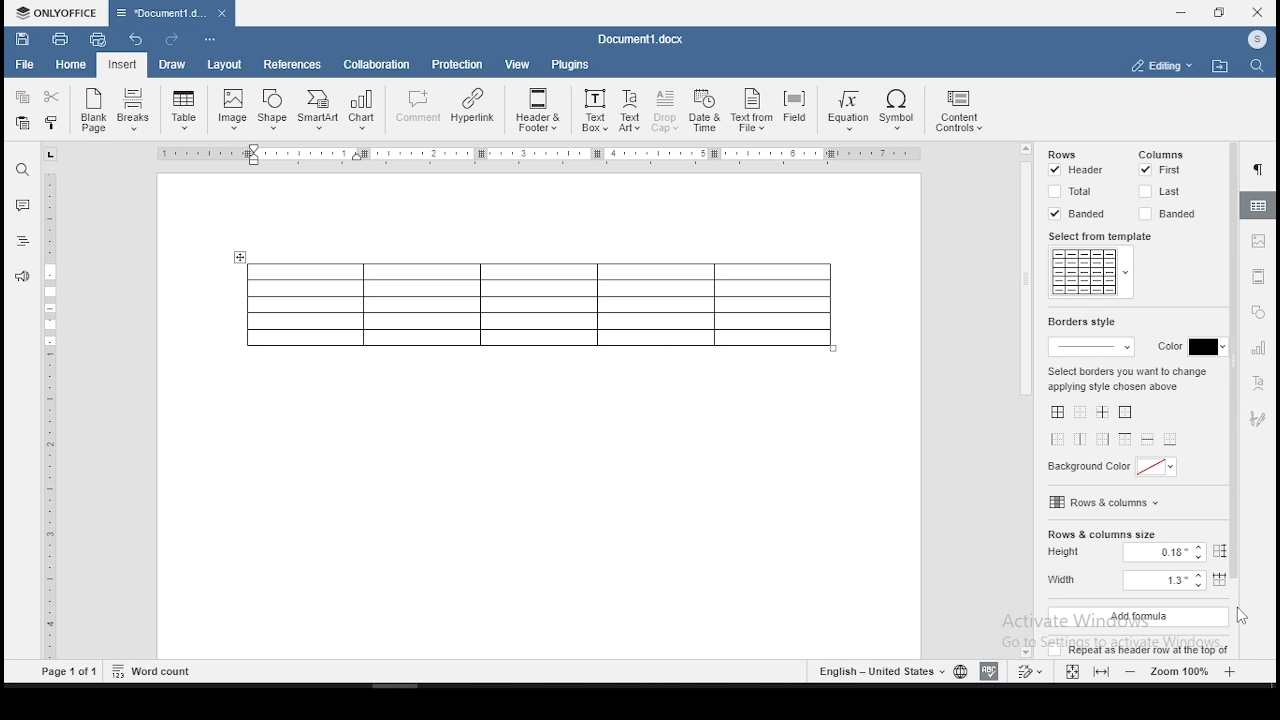 The width and height of the screenshot is (1280, 720). What do you see at coordinates (291, 65) in the screenshot?
I see `references` at bounding box center [291, 65].